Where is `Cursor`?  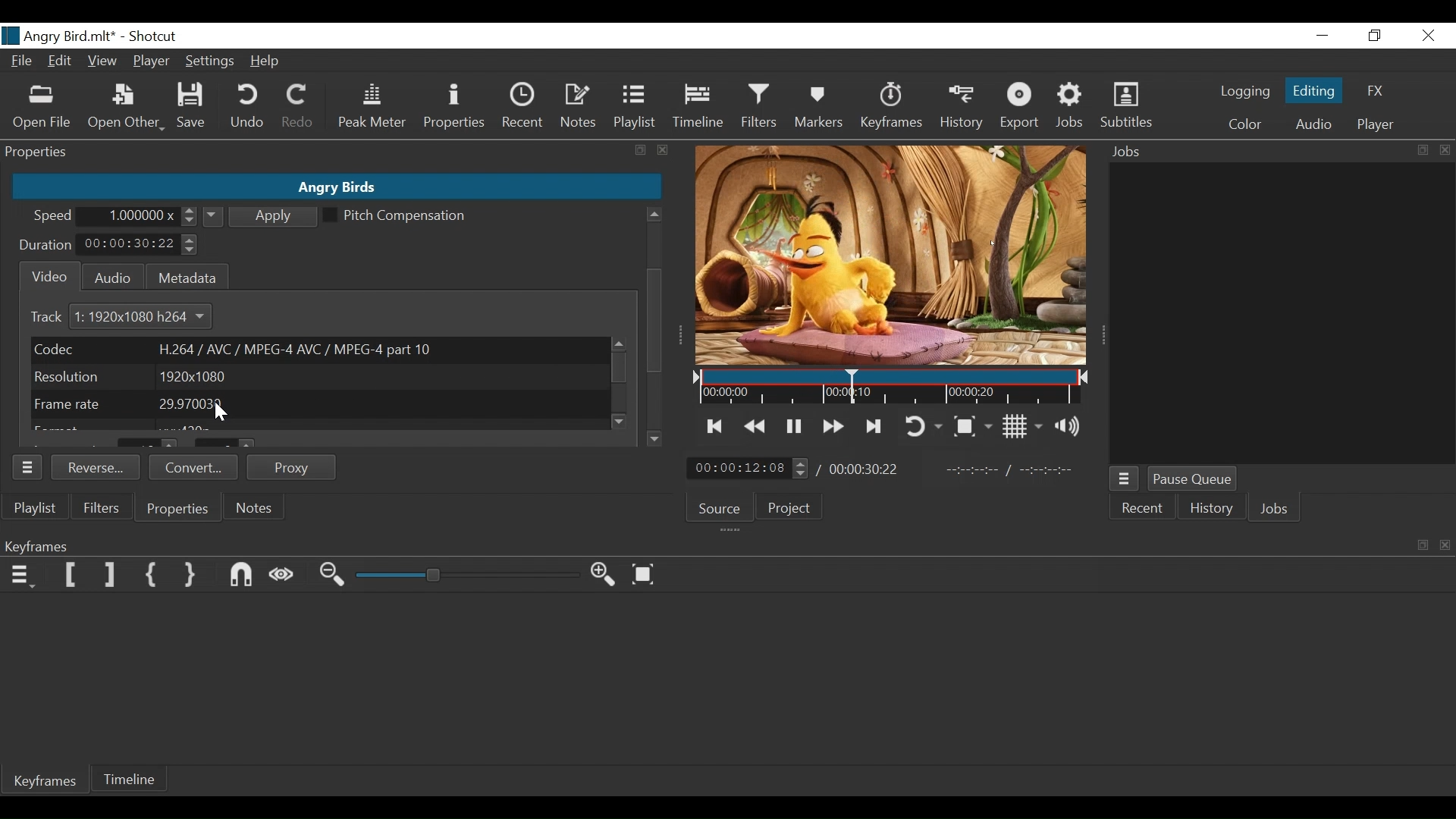
Cursor is located at coordinates (658, 357).